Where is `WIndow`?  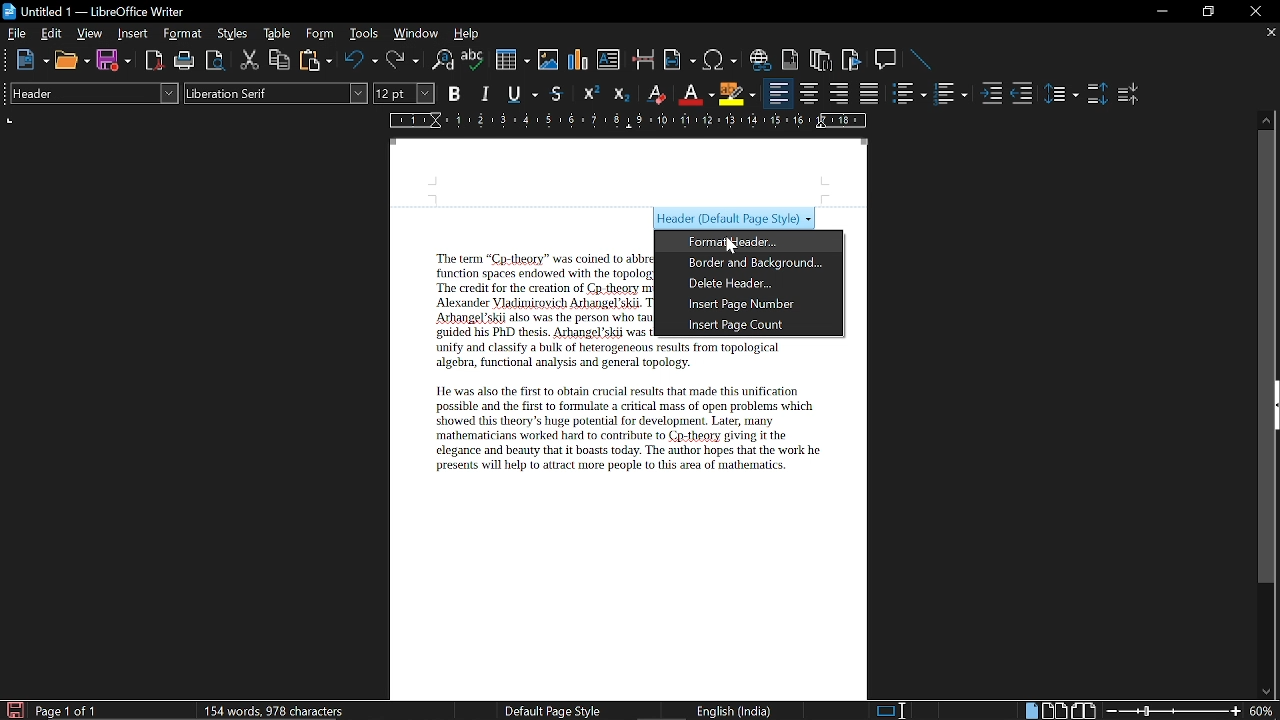 WIndow is located at coordinates (417, 33).